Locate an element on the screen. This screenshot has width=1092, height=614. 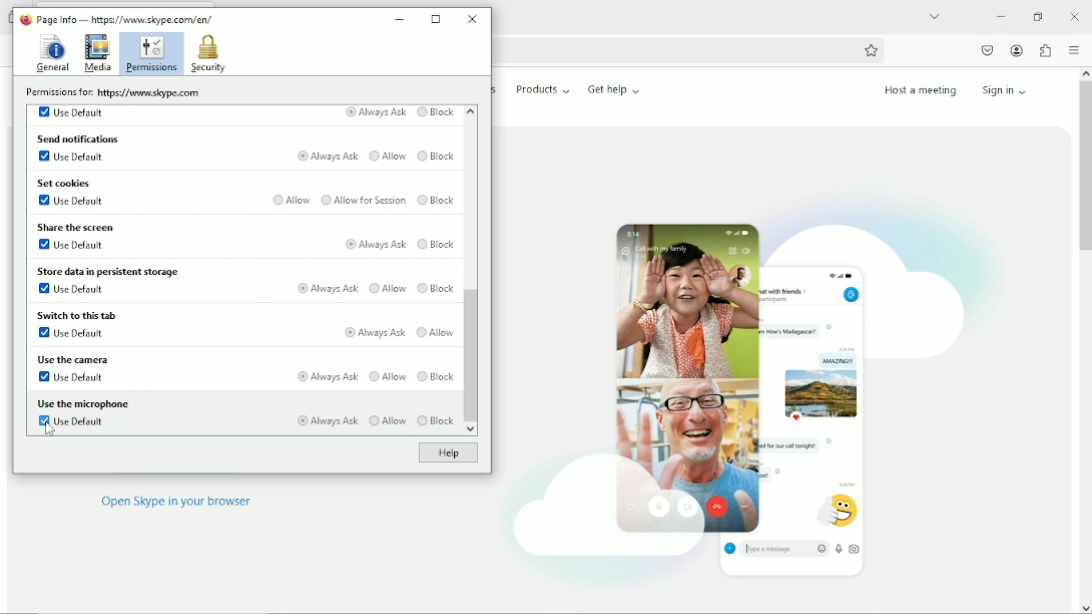
Allow is located at coordinates (388, 419).